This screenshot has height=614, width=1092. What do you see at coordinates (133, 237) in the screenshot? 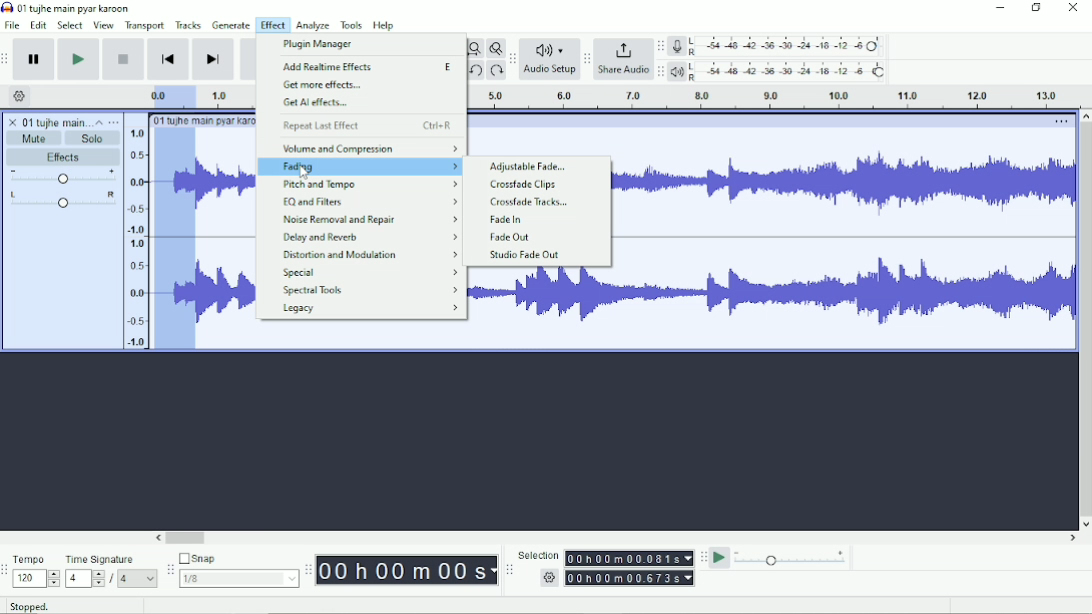
I see `Vertical meter` at bounding box center [133, 237].